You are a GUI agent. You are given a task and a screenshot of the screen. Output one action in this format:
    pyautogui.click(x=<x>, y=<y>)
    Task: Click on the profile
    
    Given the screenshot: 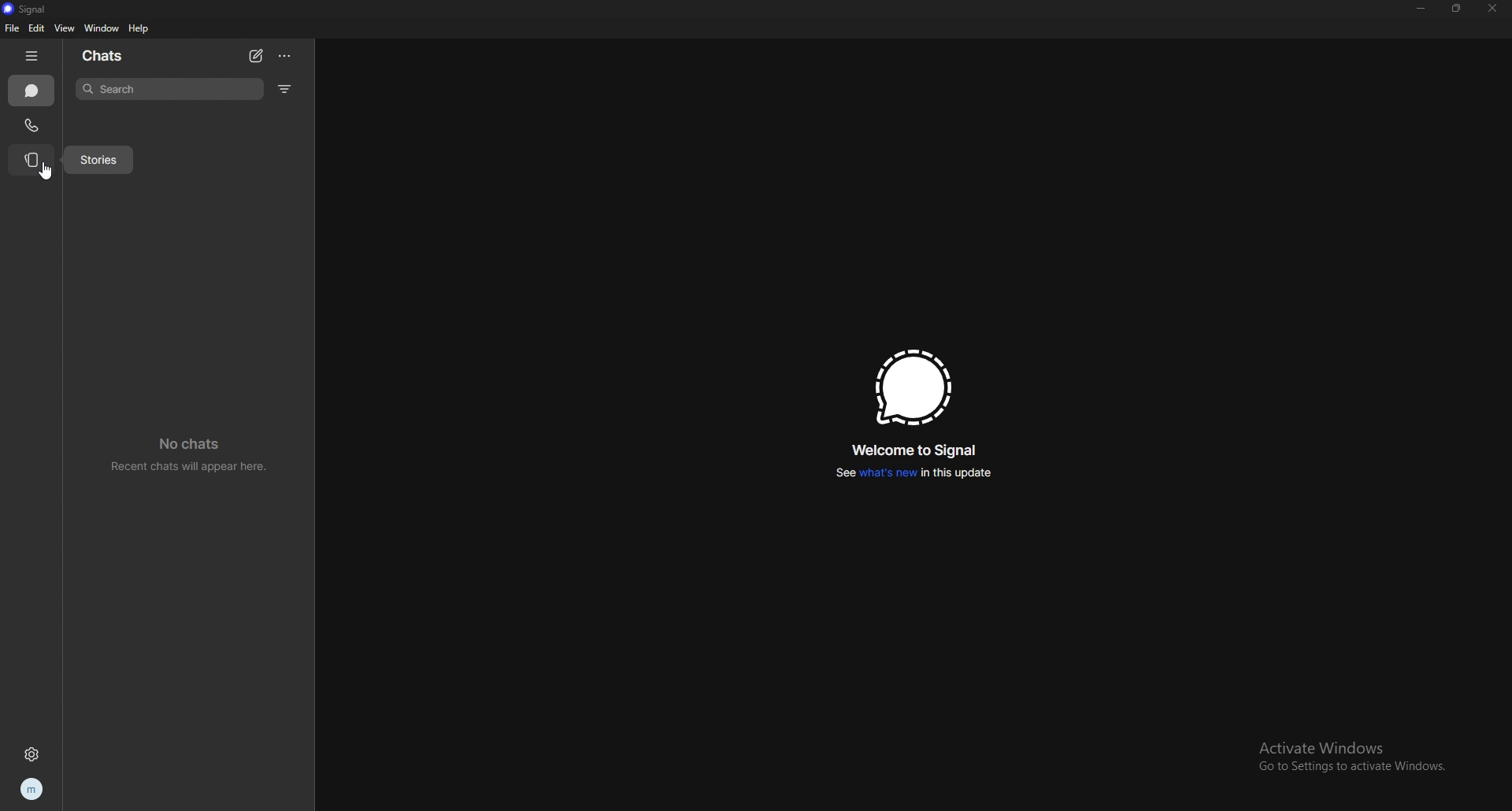 What is the action you would take?
    pyautogui.click(x=33, y=788)
    